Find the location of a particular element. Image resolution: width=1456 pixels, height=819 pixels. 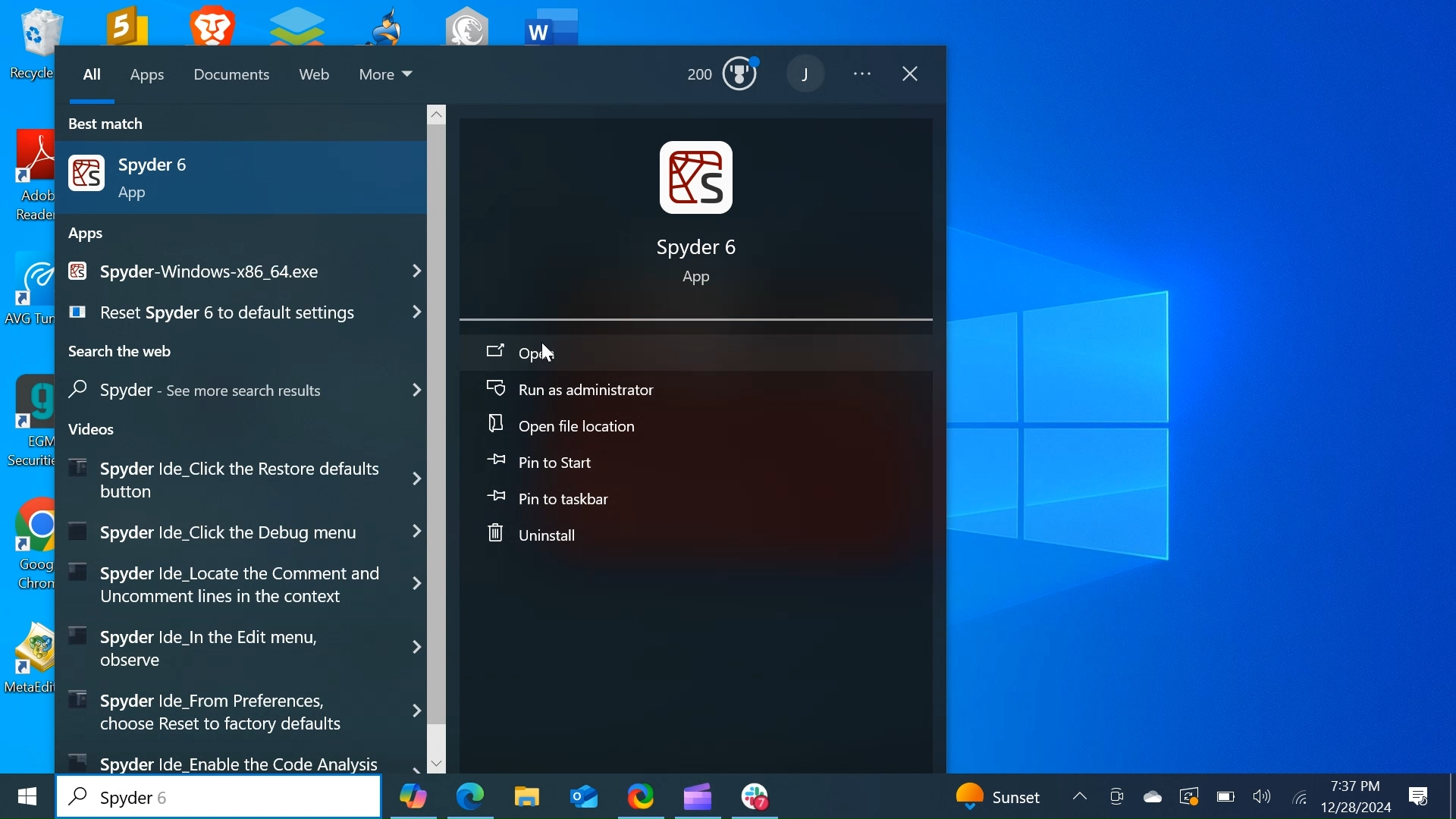

File Explorer is located at coordinates (526, 796).